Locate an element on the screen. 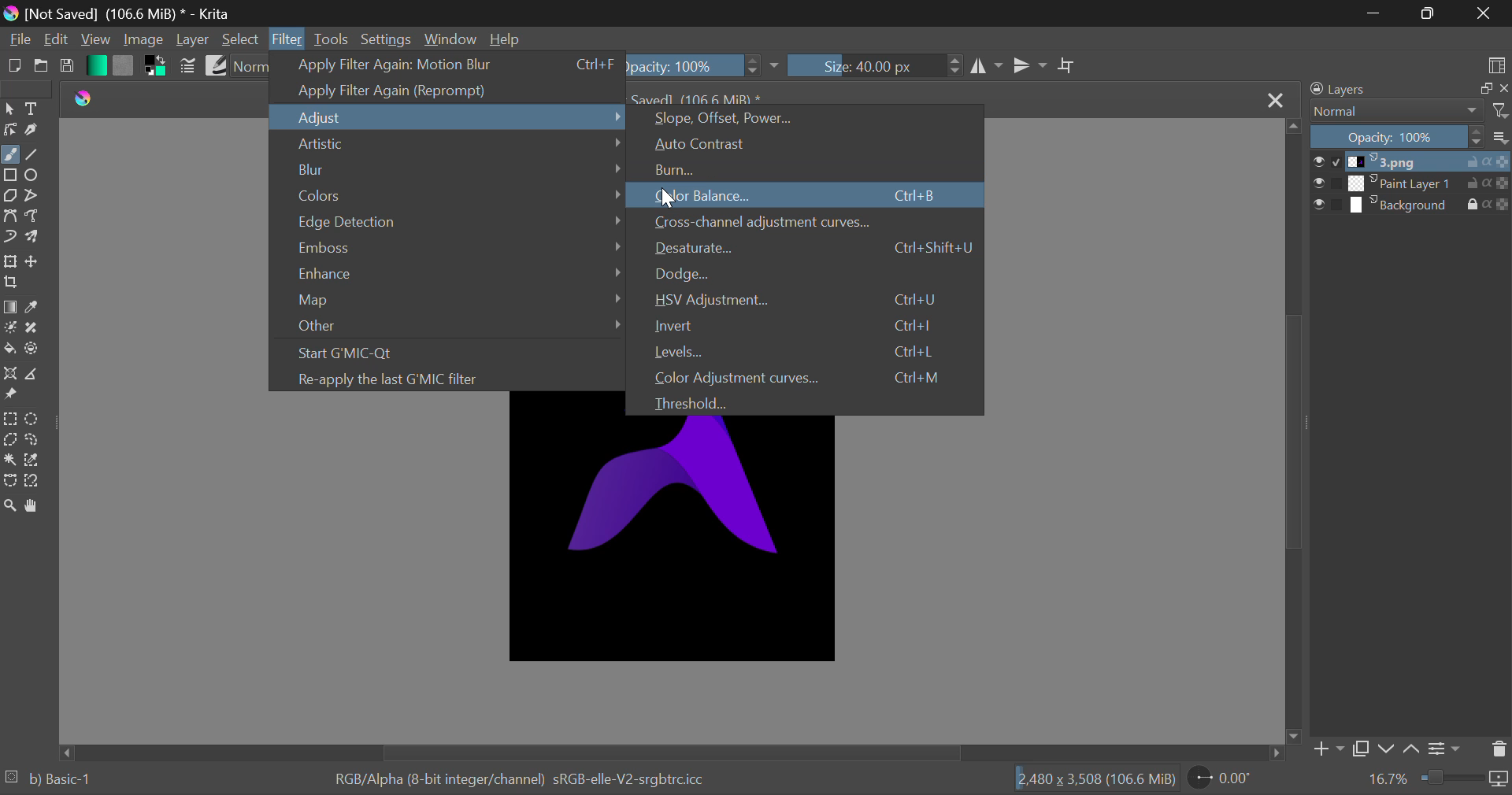  Emboss is located at coordinates (458, 246).